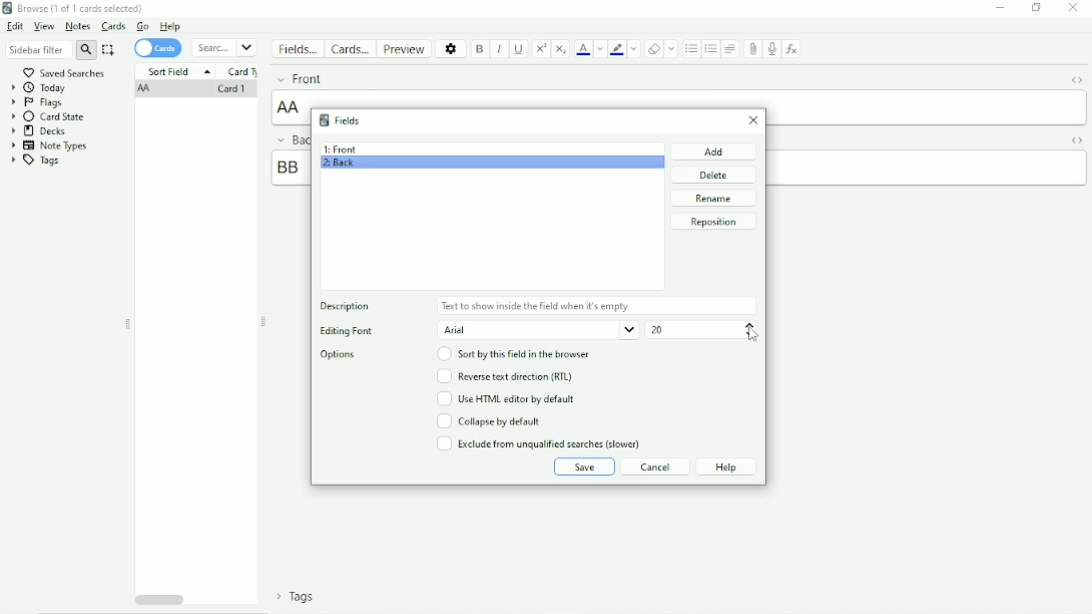  I want to click on Search, so click(224, 48).